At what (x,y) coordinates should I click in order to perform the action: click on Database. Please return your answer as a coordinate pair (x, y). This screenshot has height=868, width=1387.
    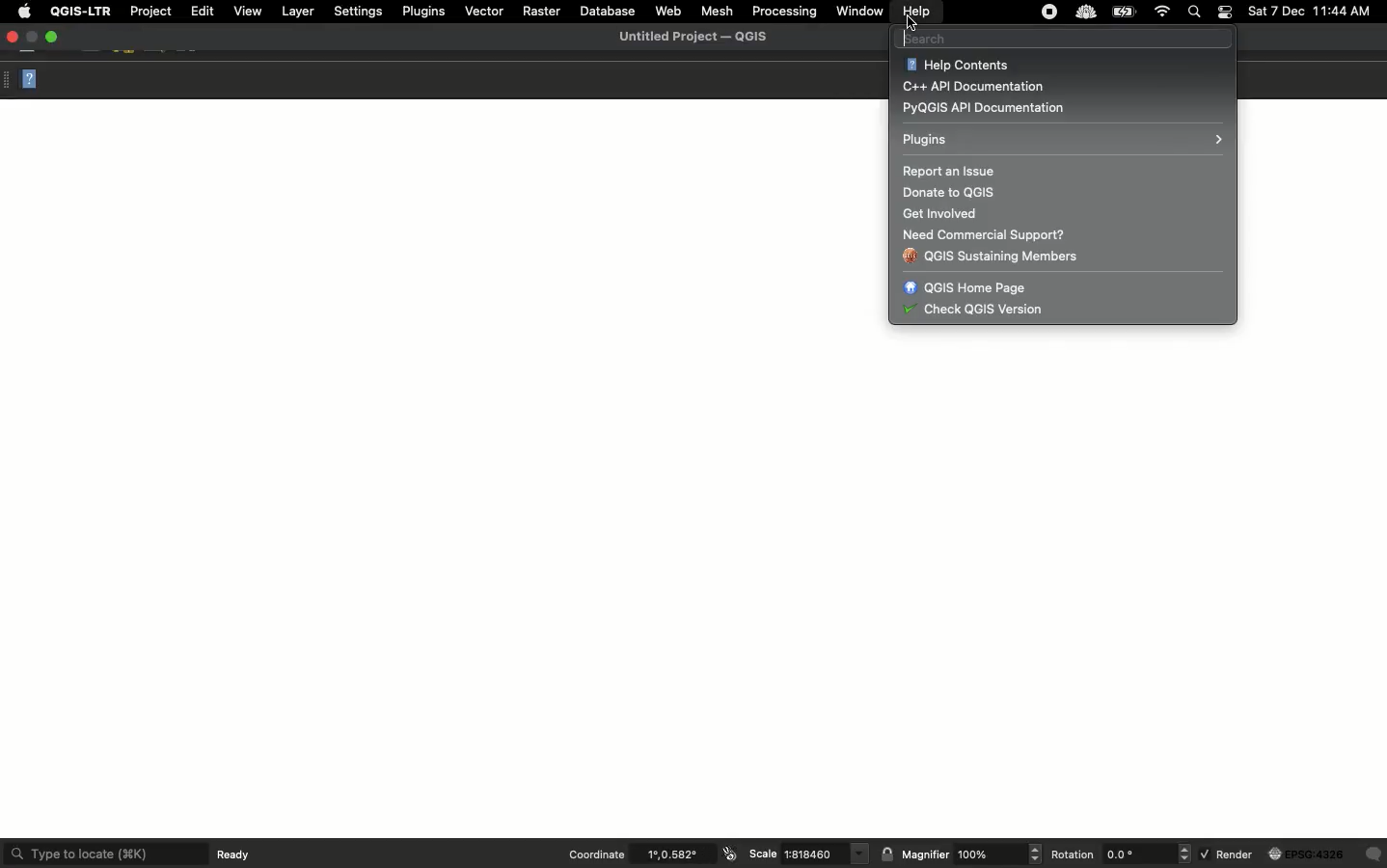
    Looking at the image, I should click on (609, 10).